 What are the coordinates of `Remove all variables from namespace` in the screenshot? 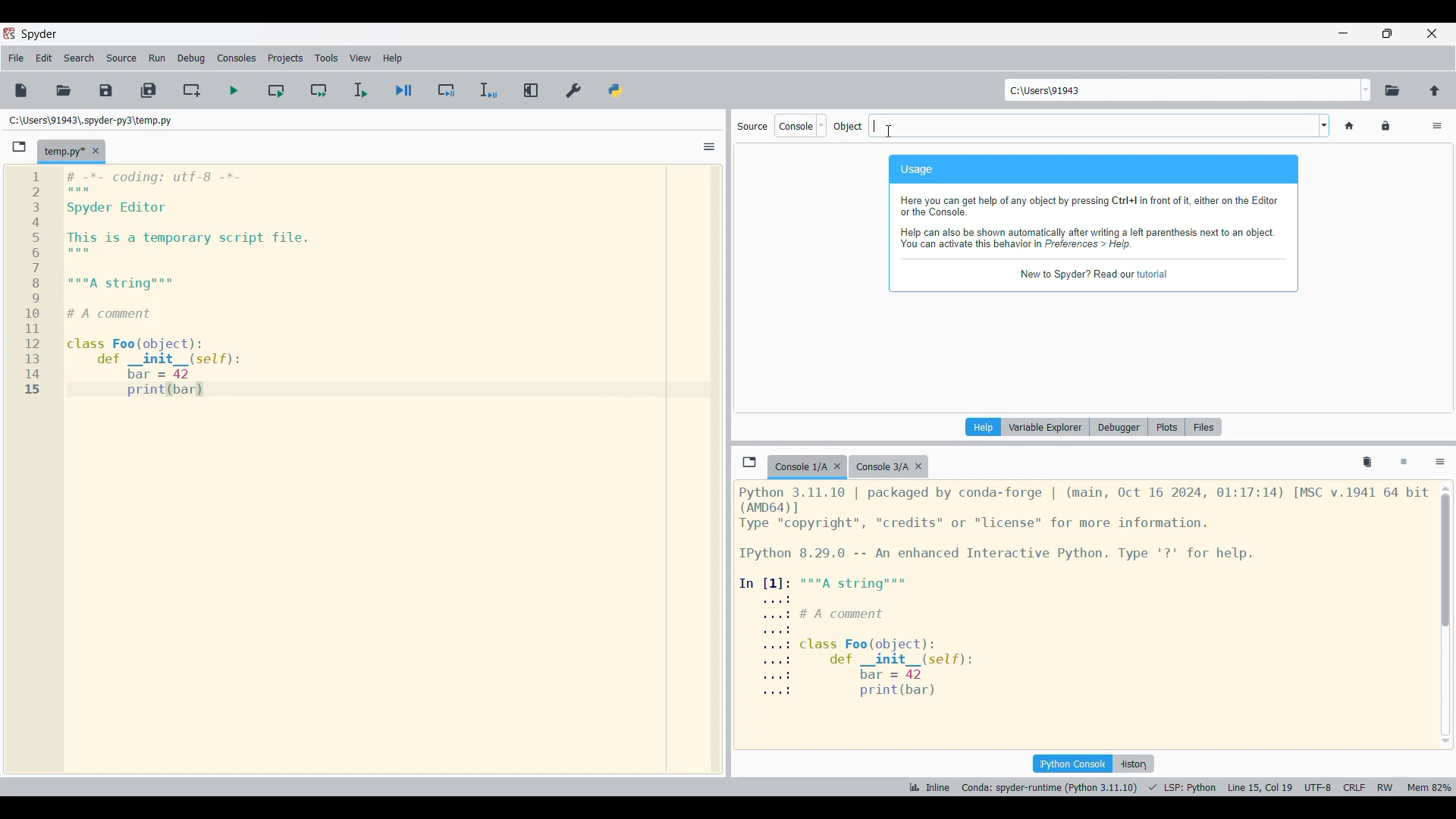 It's located at (1367, 463).